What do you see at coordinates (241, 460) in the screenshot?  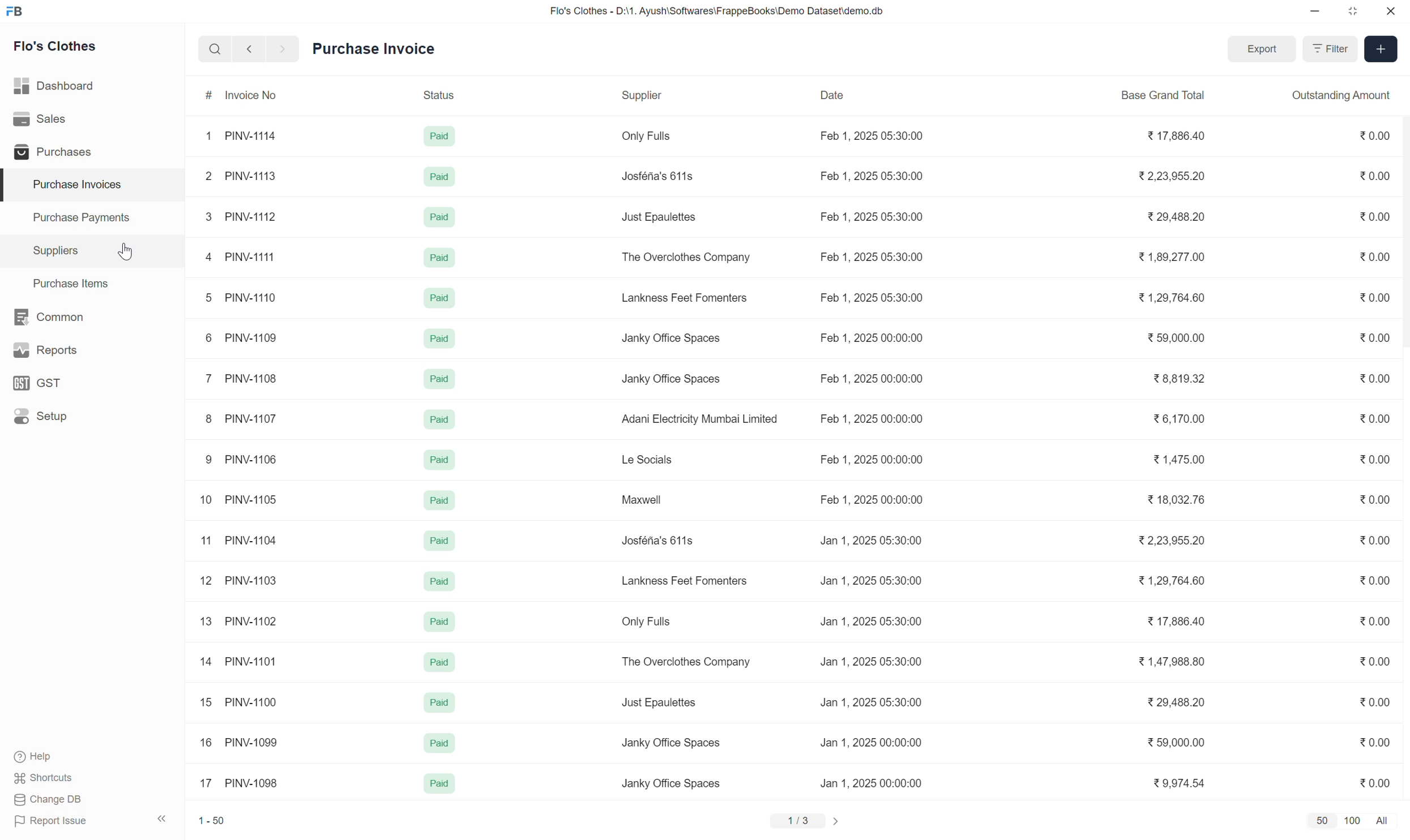 I see `9  PINV-1106` at bounding box center [241, 460].